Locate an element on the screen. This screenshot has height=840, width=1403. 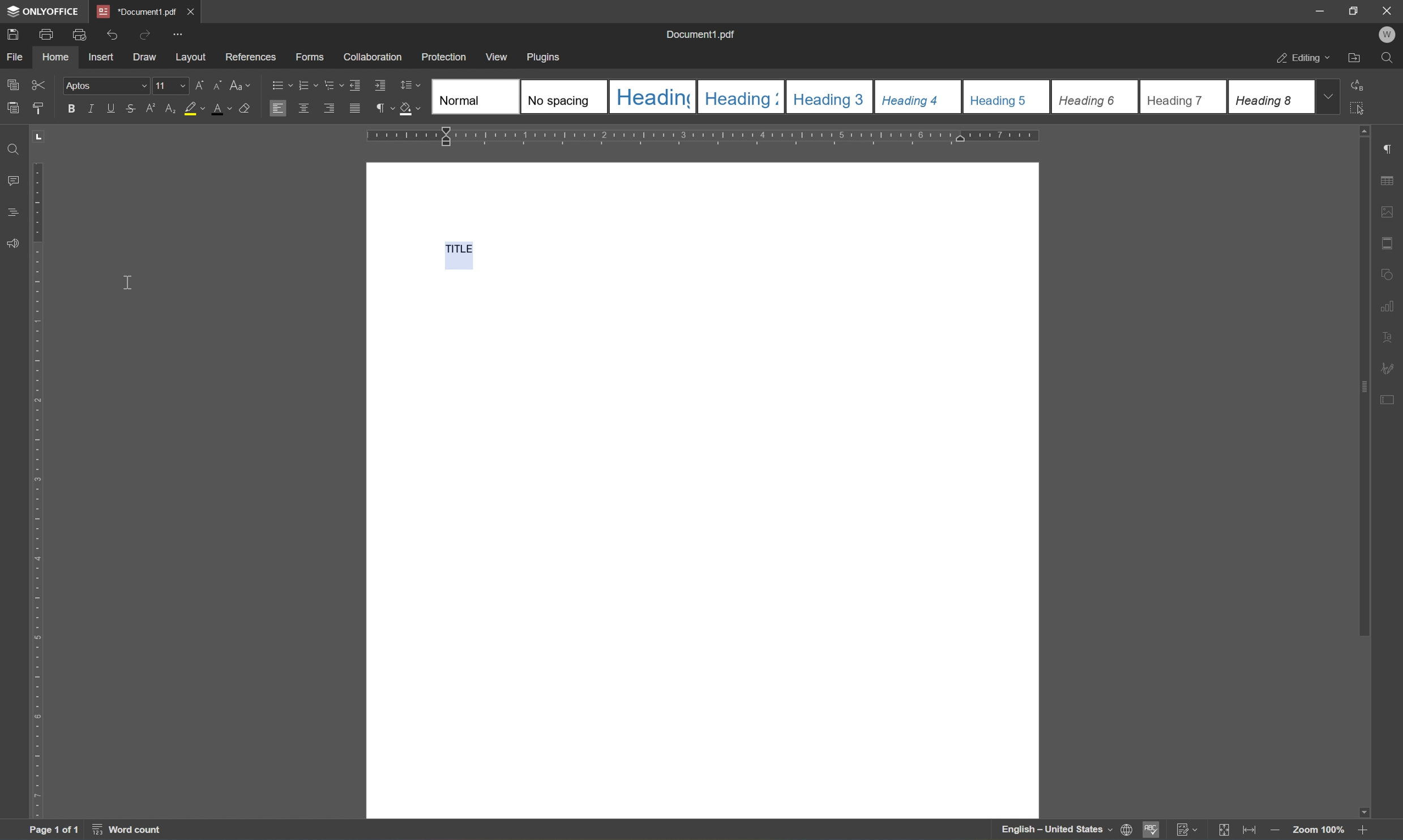
strikethrough is located at coordinates (131, 110).